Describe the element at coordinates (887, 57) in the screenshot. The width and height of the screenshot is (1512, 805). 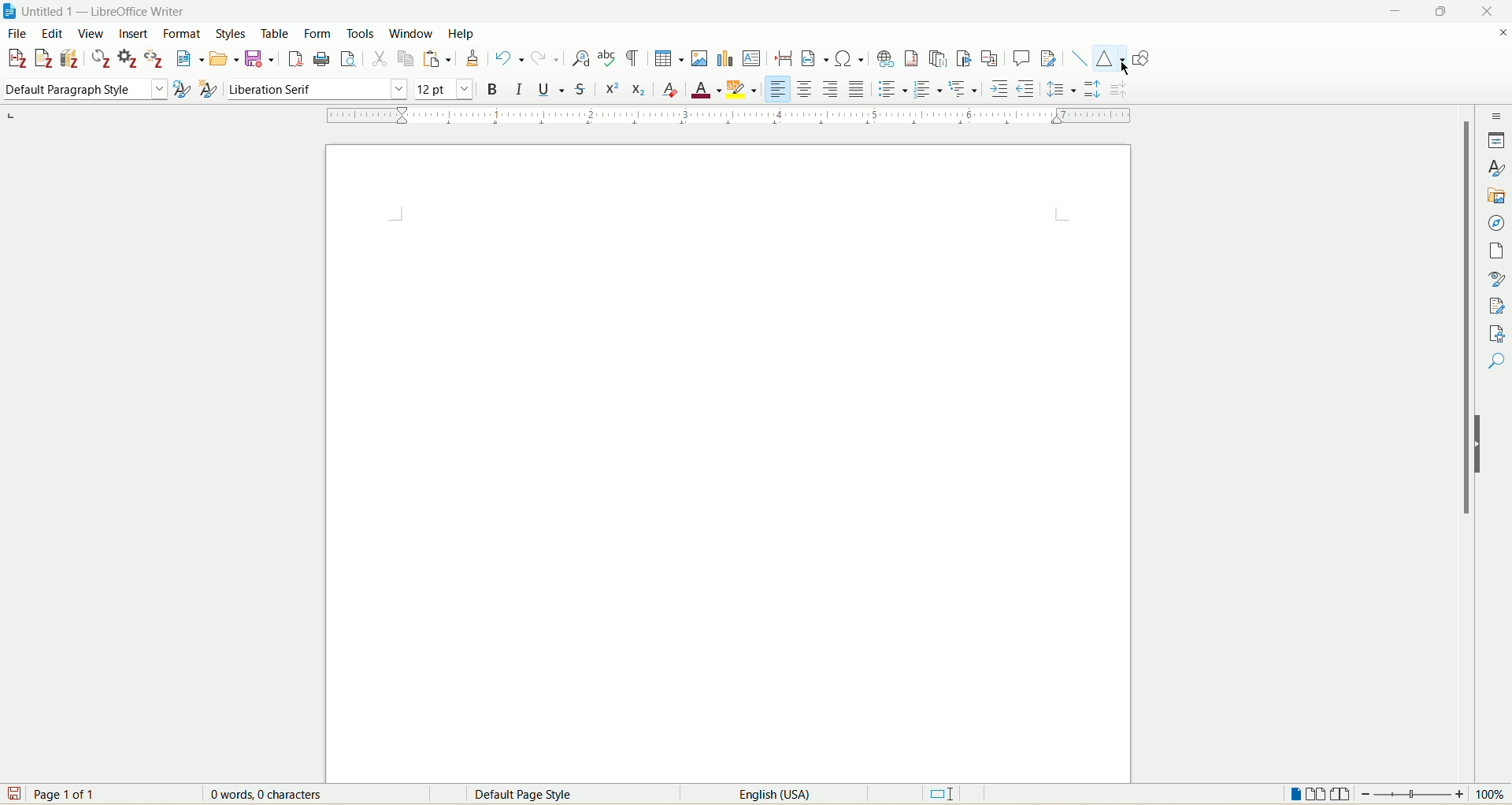
I see `insert hyperlink` at that location.